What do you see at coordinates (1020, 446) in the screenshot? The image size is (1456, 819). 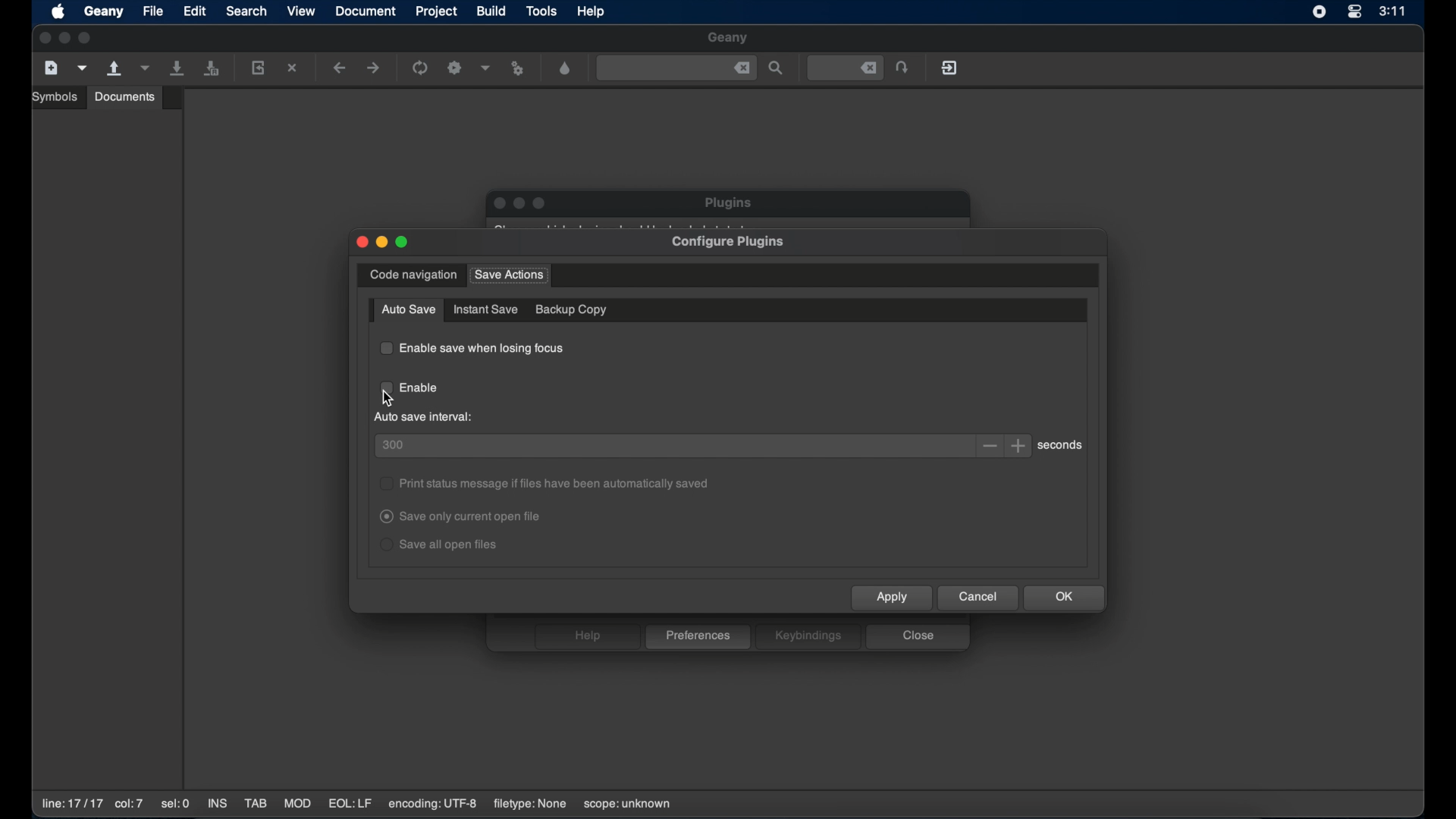 I see `increment` at bounding box center [1020, 446].